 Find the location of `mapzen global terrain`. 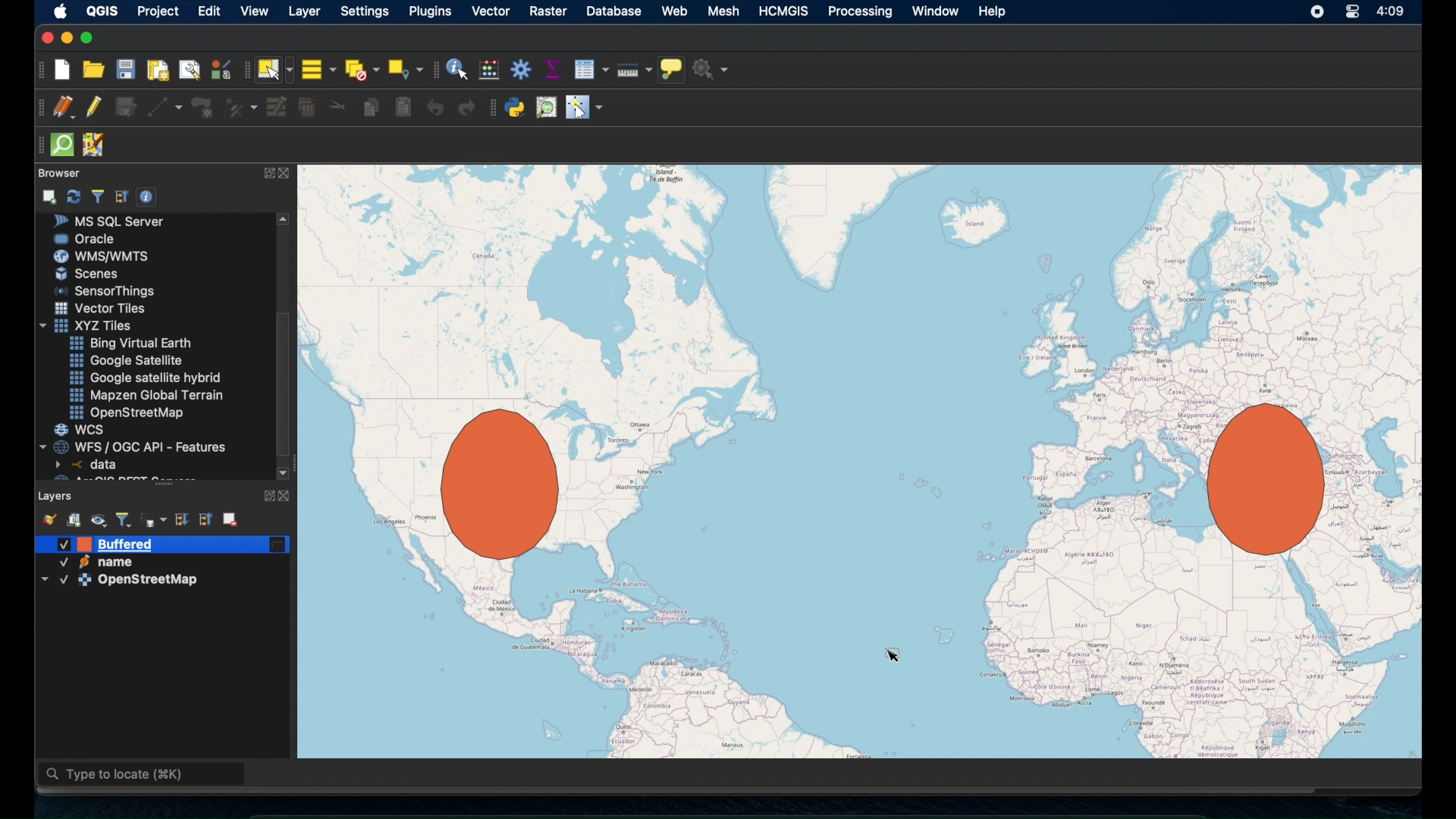

mapzen global terrain is located at coordinates (147, 394).